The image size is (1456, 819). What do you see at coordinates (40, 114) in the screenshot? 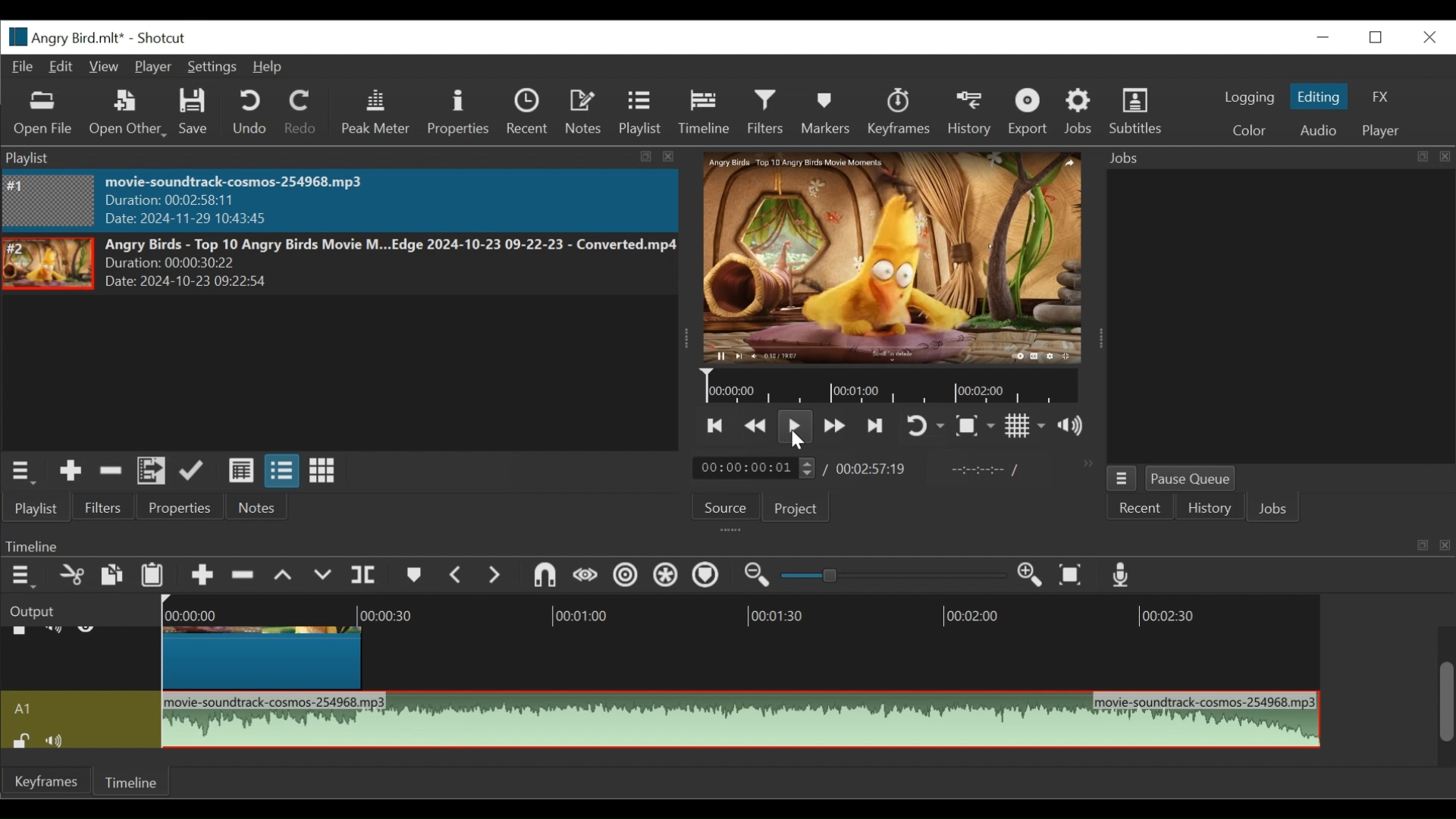
I see `Open File` at bounding box center [40, 114].